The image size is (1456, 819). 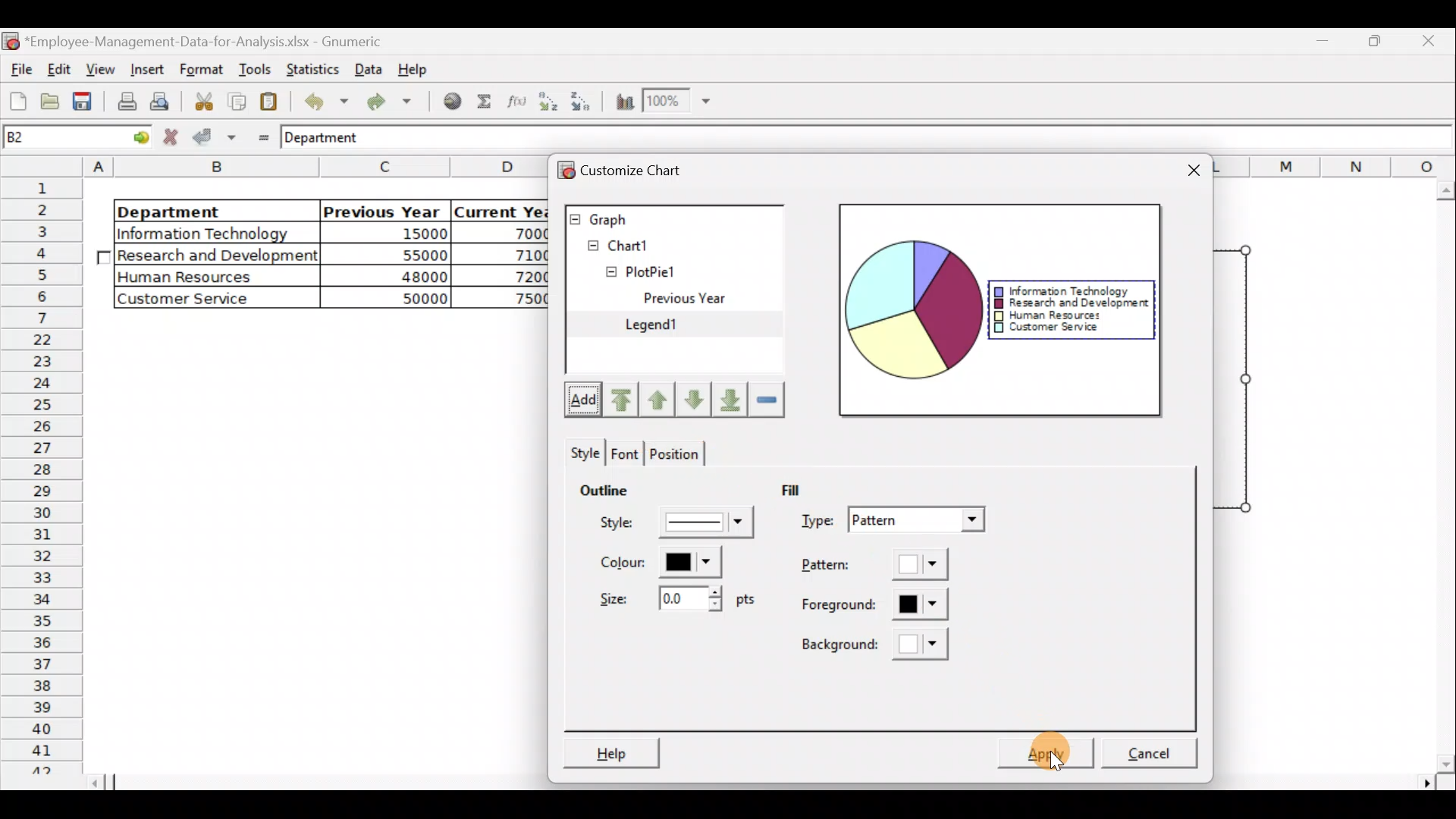 What do you see at coordinates (1429, 43) in the screenshot?
I see `Close` at bounding box center [1429, 43].